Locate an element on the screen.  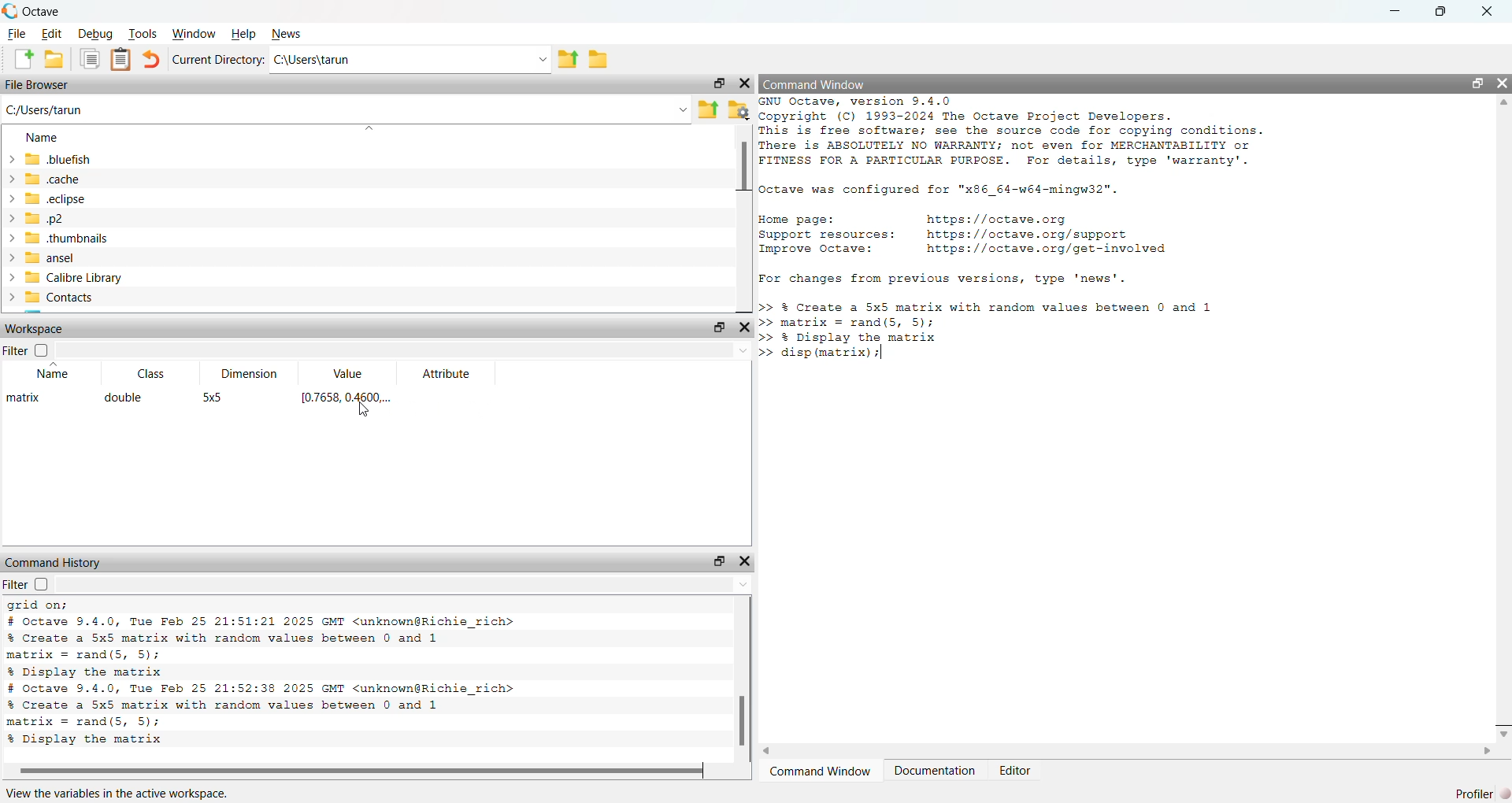
Calibre Library is located at coordinates (75, 276).